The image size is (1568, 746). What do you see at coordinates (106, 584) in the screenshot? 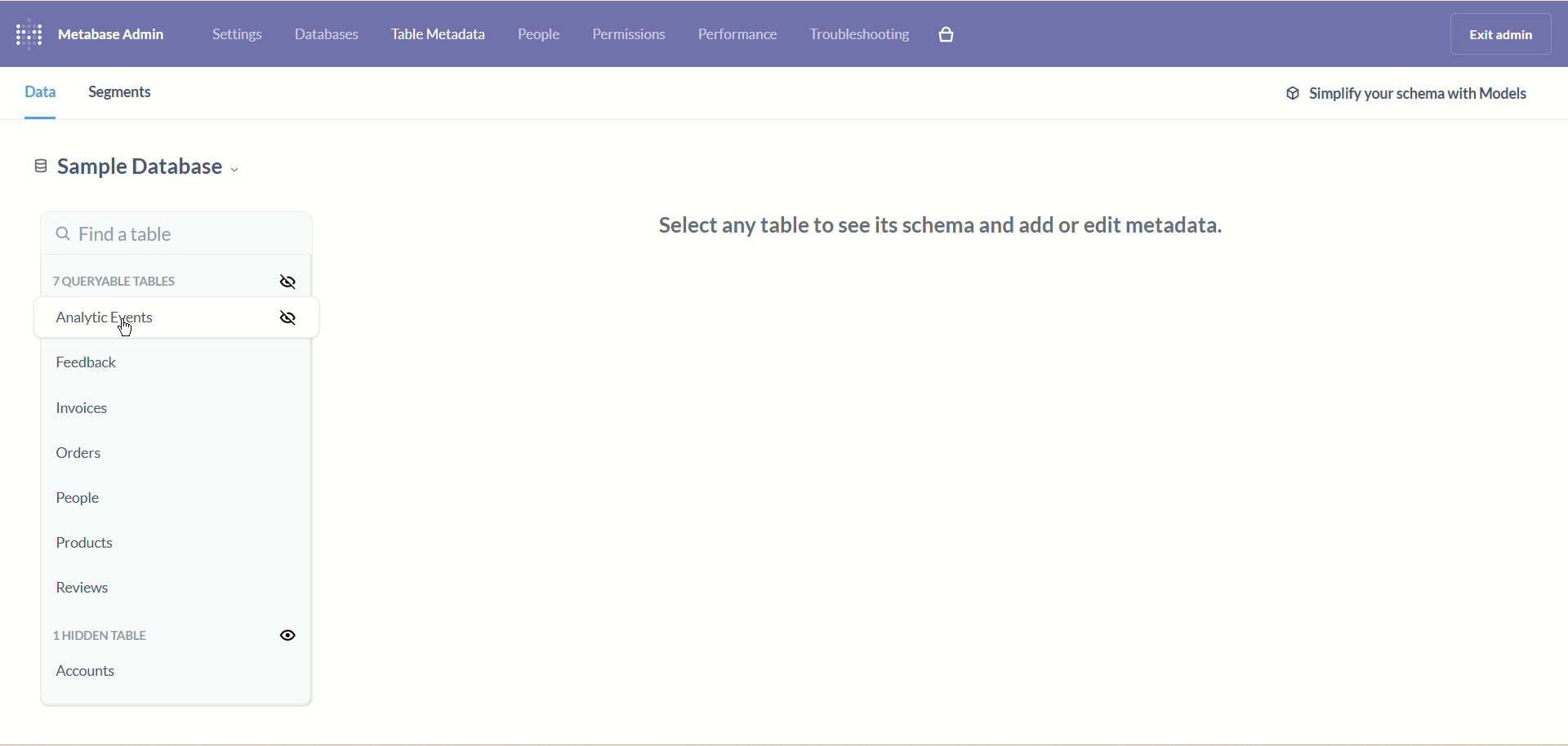
I see `Reviews` at bounding box center [106, 584].